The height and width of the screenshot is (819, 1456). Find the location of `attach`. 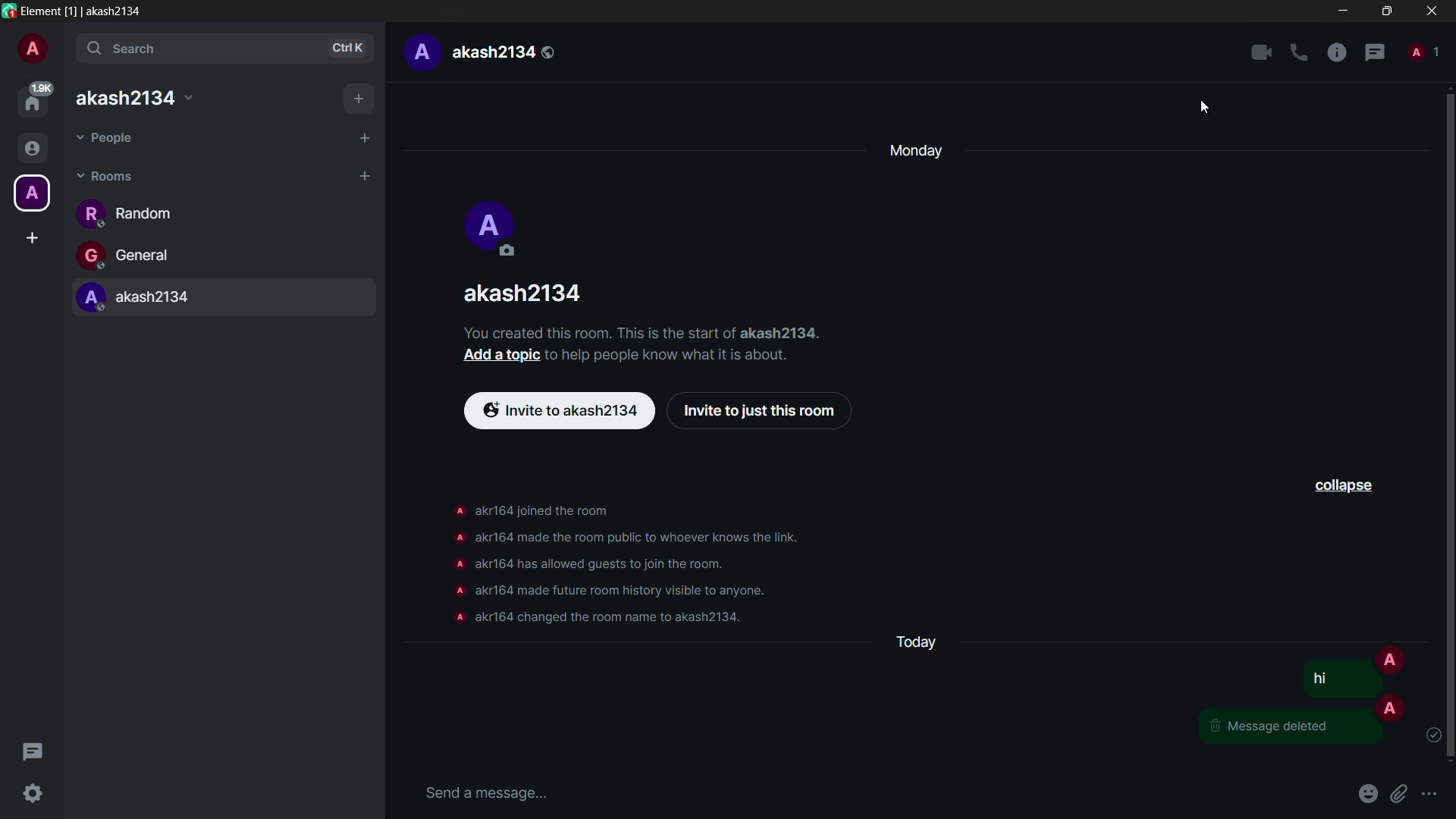

attach is located at coordinates (1402, 793).